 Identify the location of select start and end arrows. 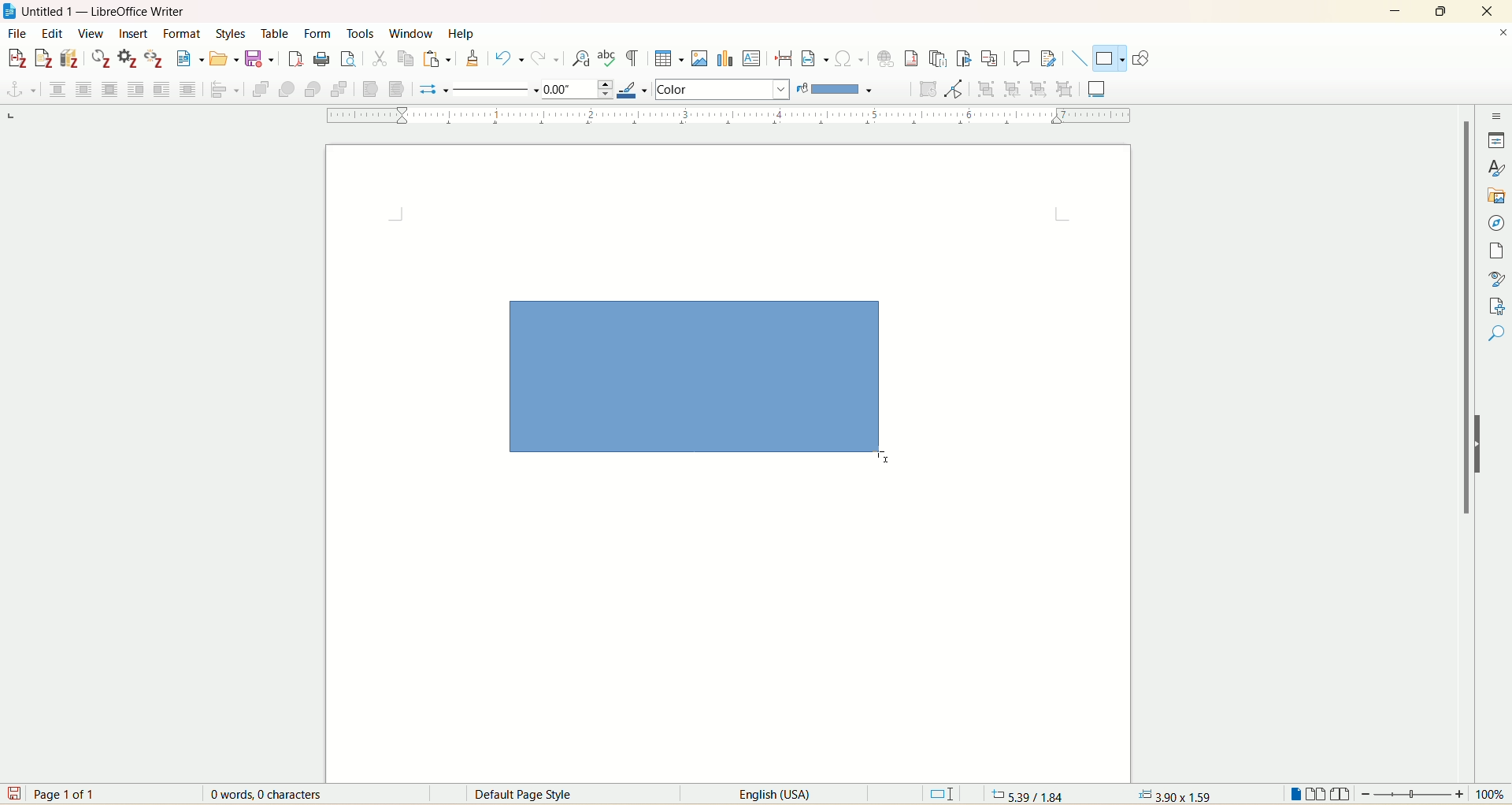
(435, 90).